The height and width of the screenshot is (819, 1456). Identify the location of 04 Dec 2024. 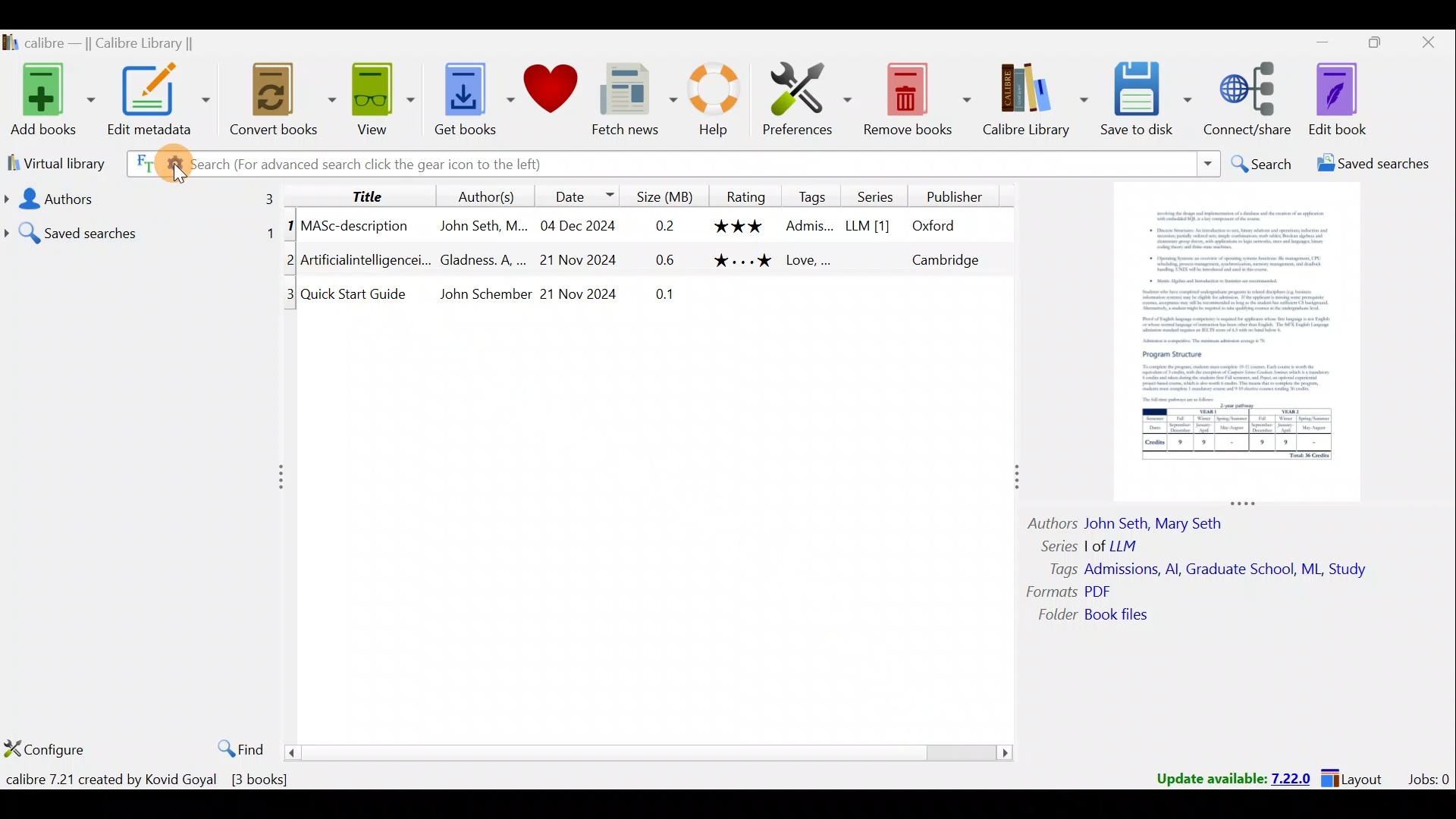
(578, 227).